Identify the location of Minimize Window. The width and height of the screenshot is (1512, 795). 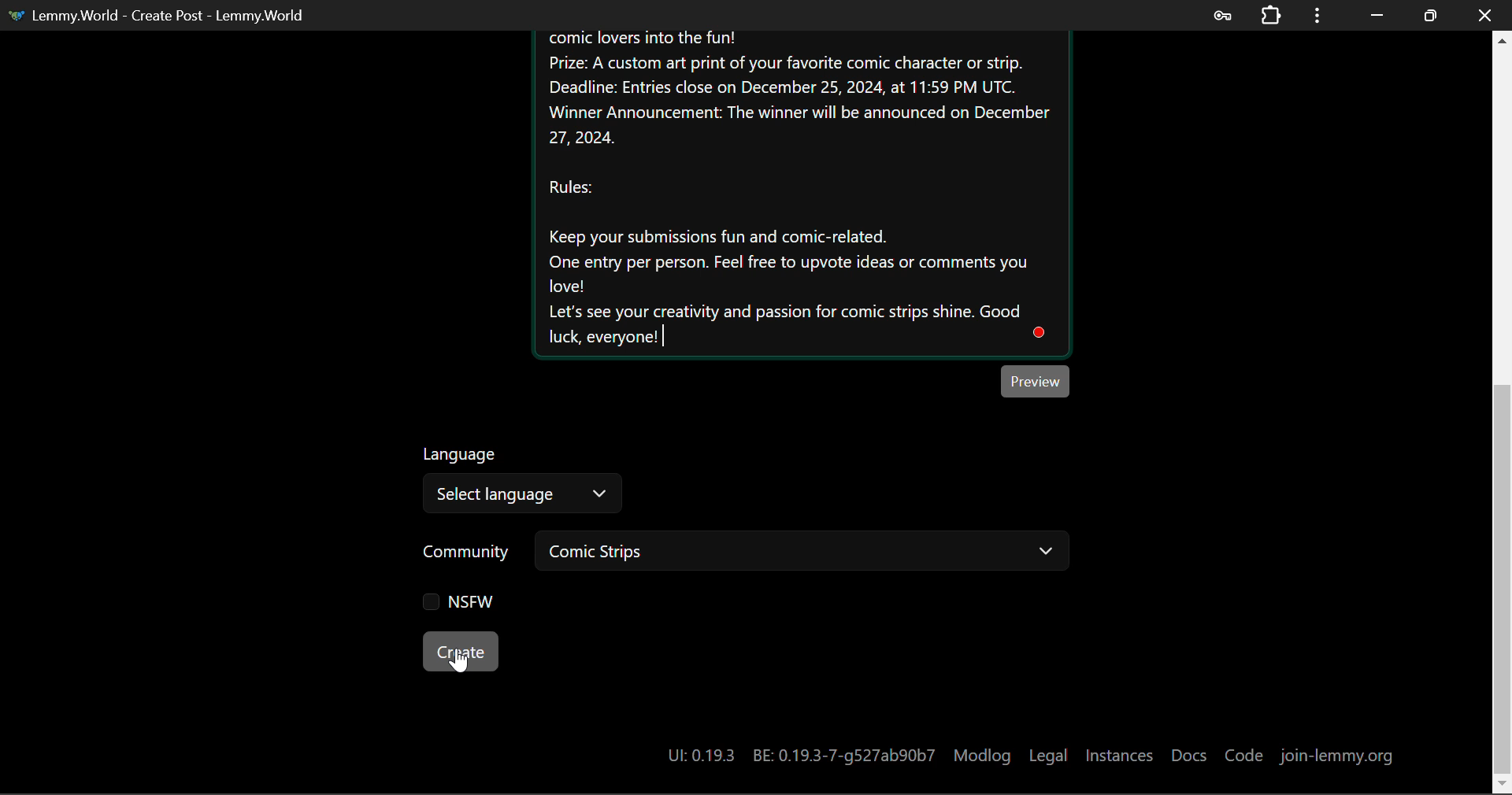
(1430, 13).